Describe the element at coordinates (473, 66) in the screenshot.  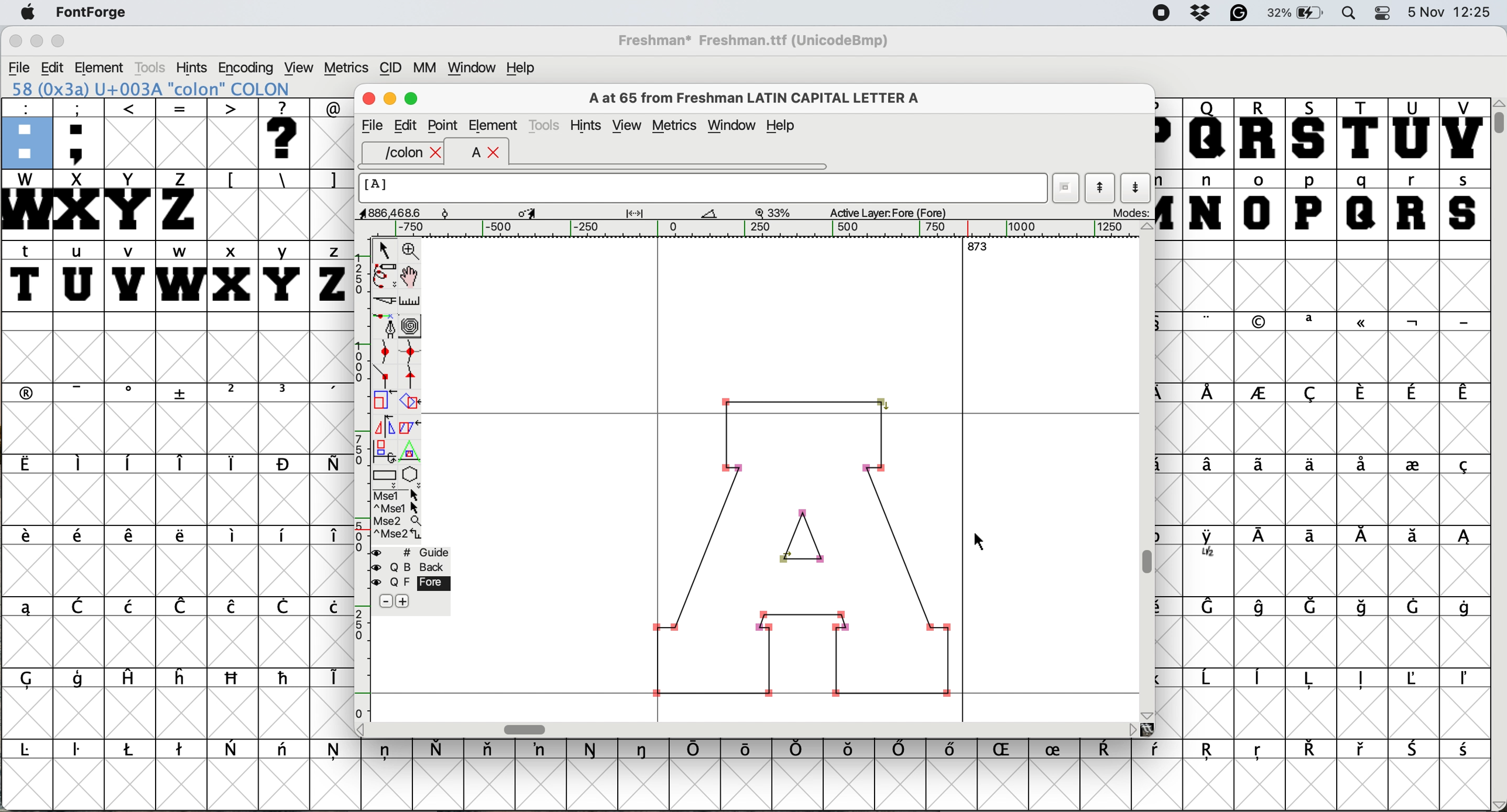
I see `window` at that location.